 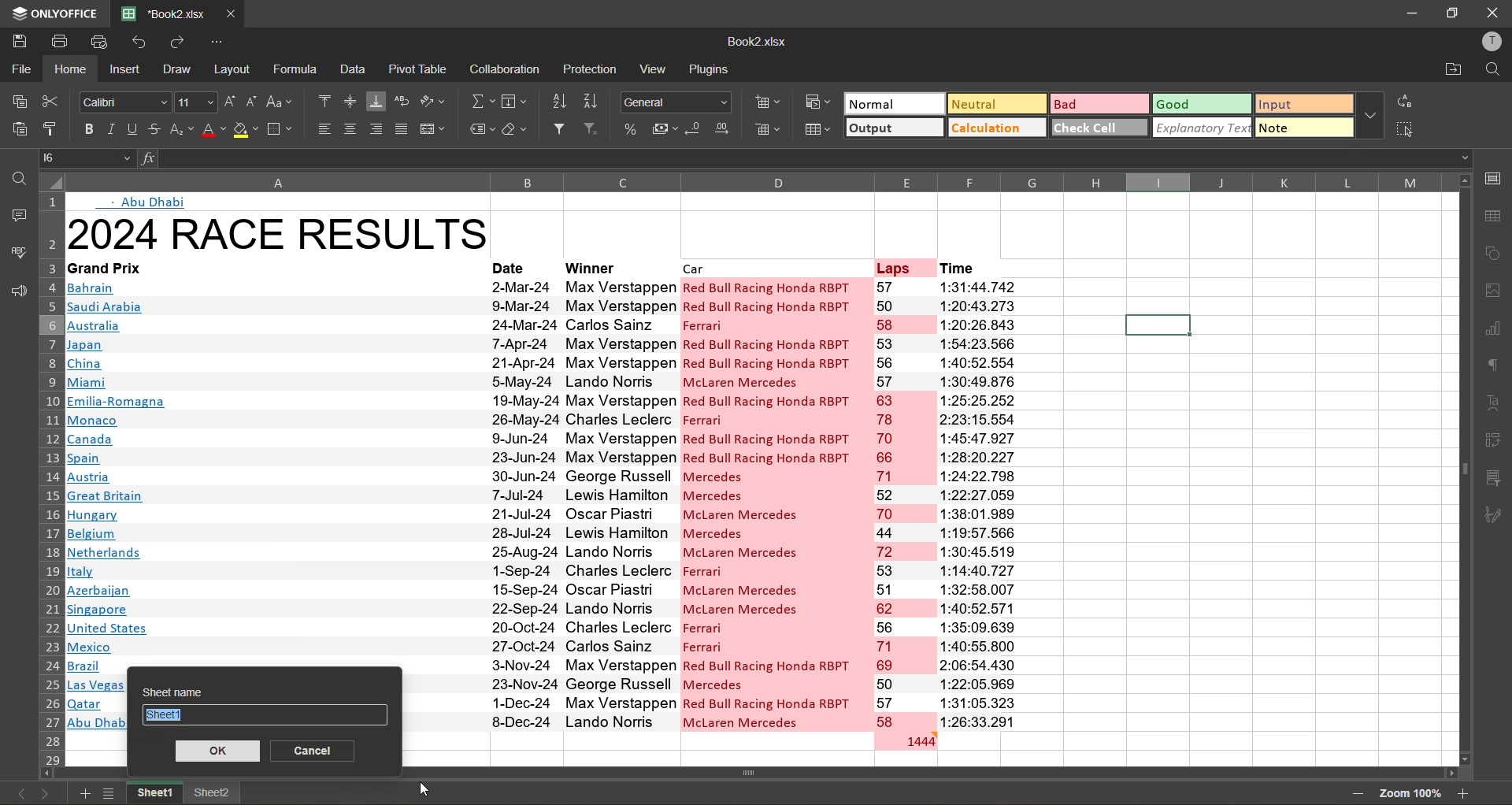 What do you see at coordinates (1304, 128) in the screenshot?
I see `note` at bounding box center [1304, 128].